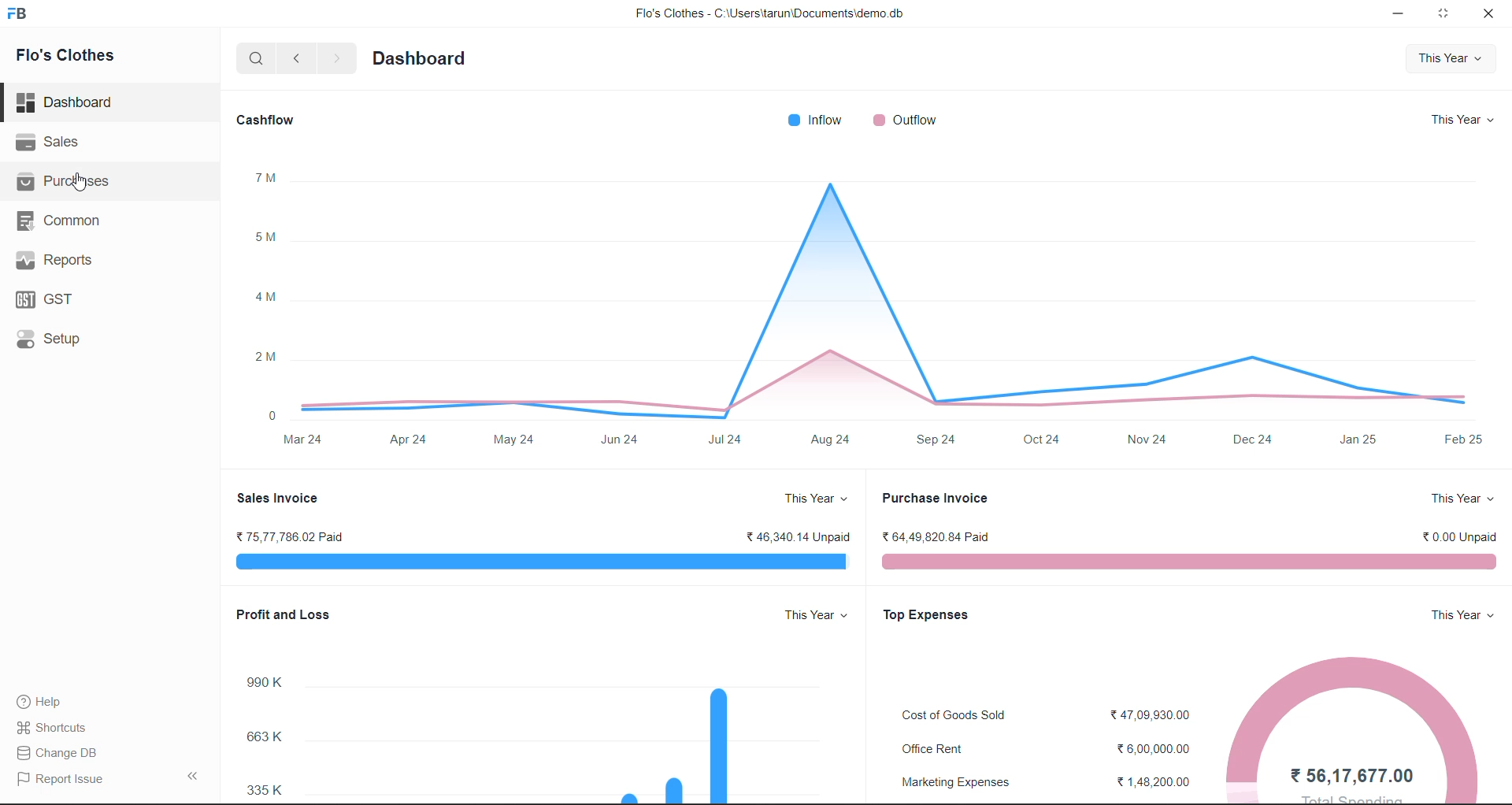 Image resolution: width=1512 pixels, height=805 pixels. What do you see at coordinates (269, 684) in the screenshot?
I see `990 K` at bounding box center [269, 684].